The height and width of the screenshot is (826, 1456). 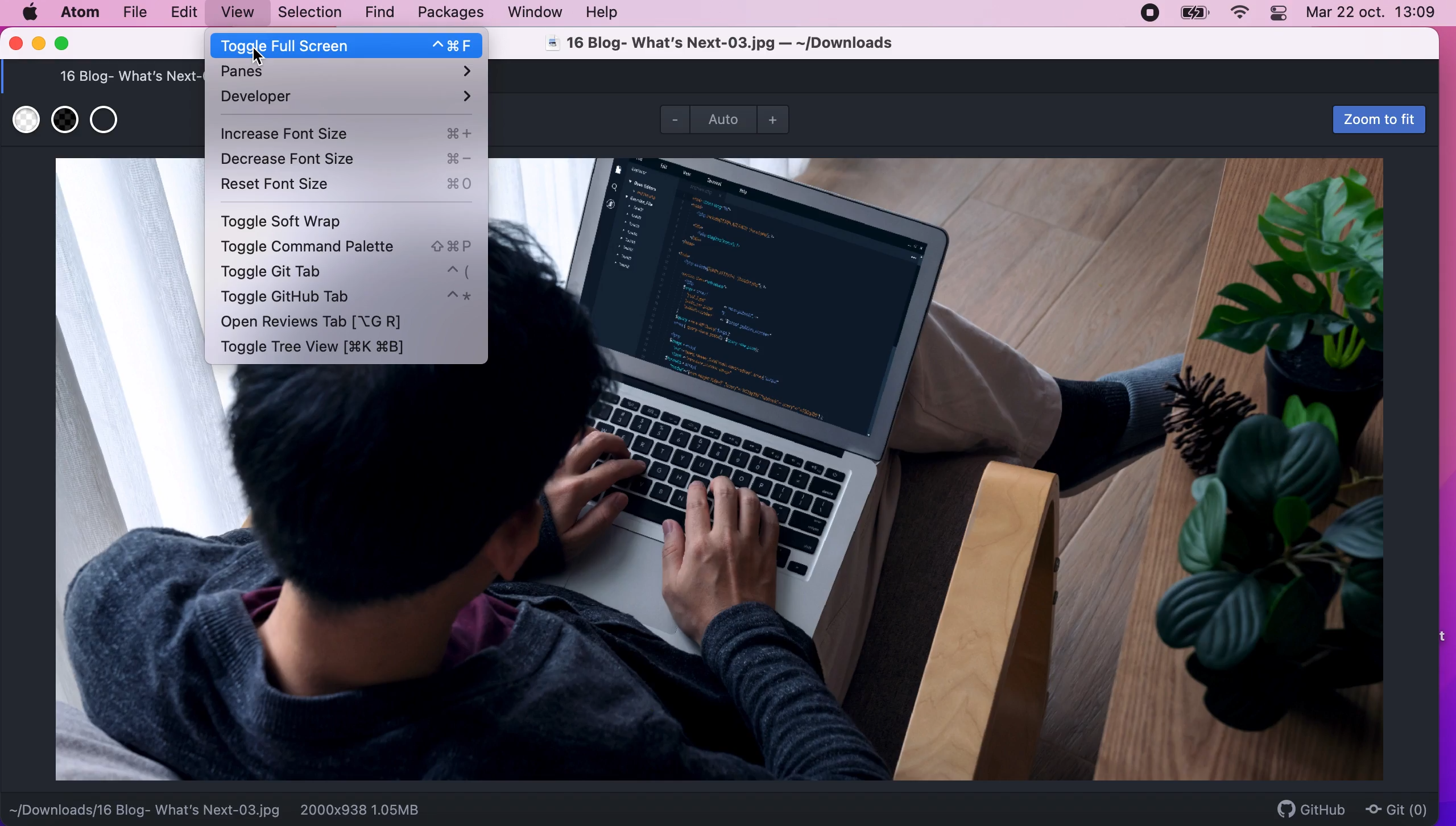 What do you see at coordinates (1280, 14) in the screenshot?
I see `panel control` at bounding box center [1280, 14].